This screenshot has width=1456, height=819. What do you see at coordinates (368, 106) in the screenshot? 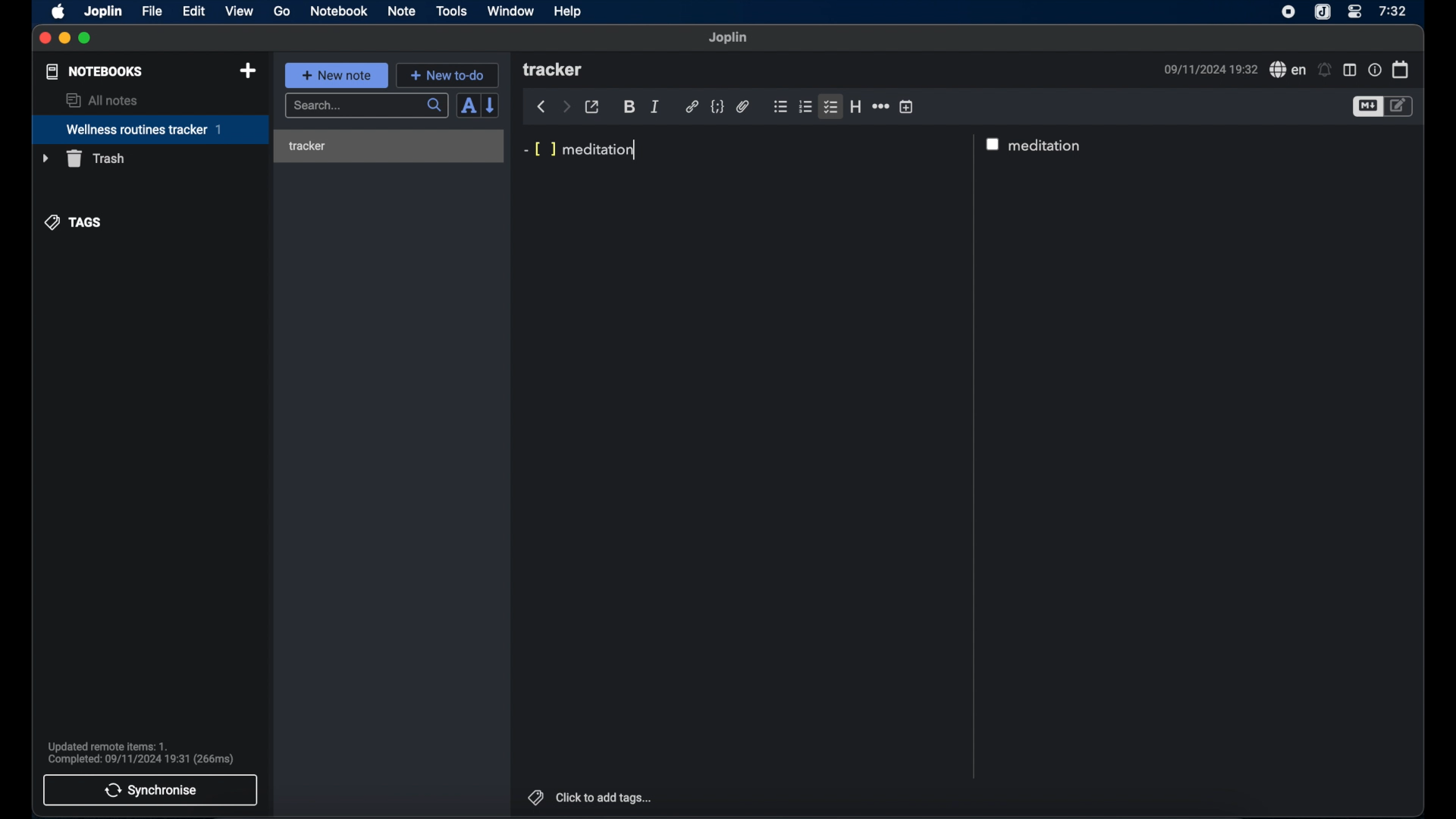
I see `search...` at bounding box center [368, 106].